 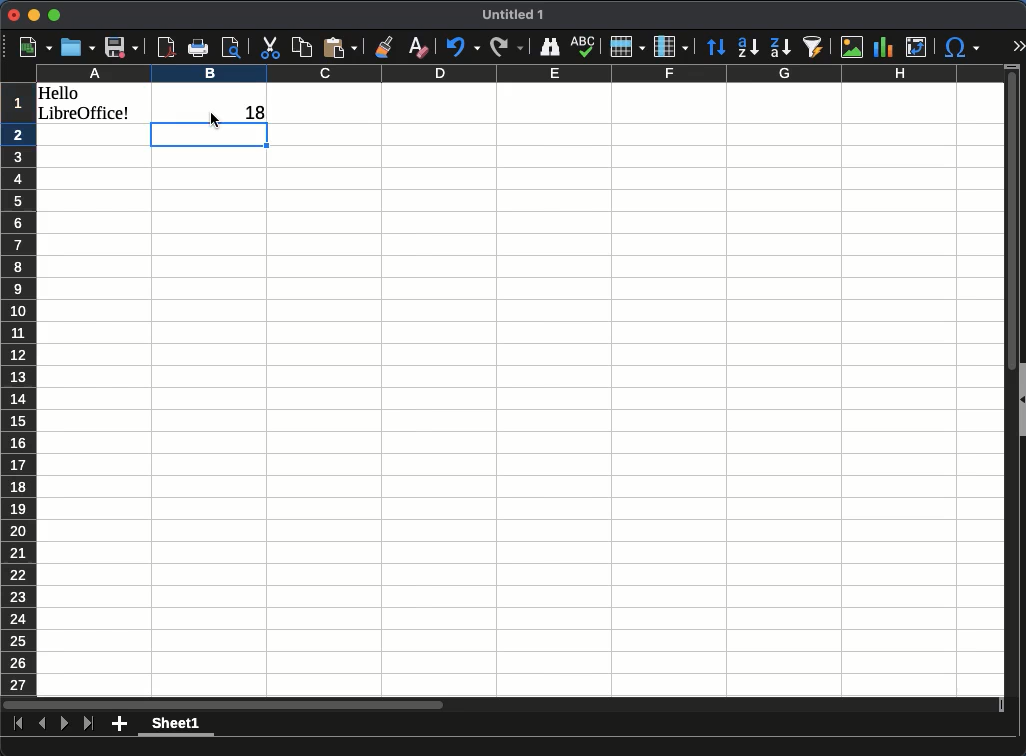 What do you see at coordinates (165, 47) in the screenshot?
I see `pdf` at bounding box center [165, 47].